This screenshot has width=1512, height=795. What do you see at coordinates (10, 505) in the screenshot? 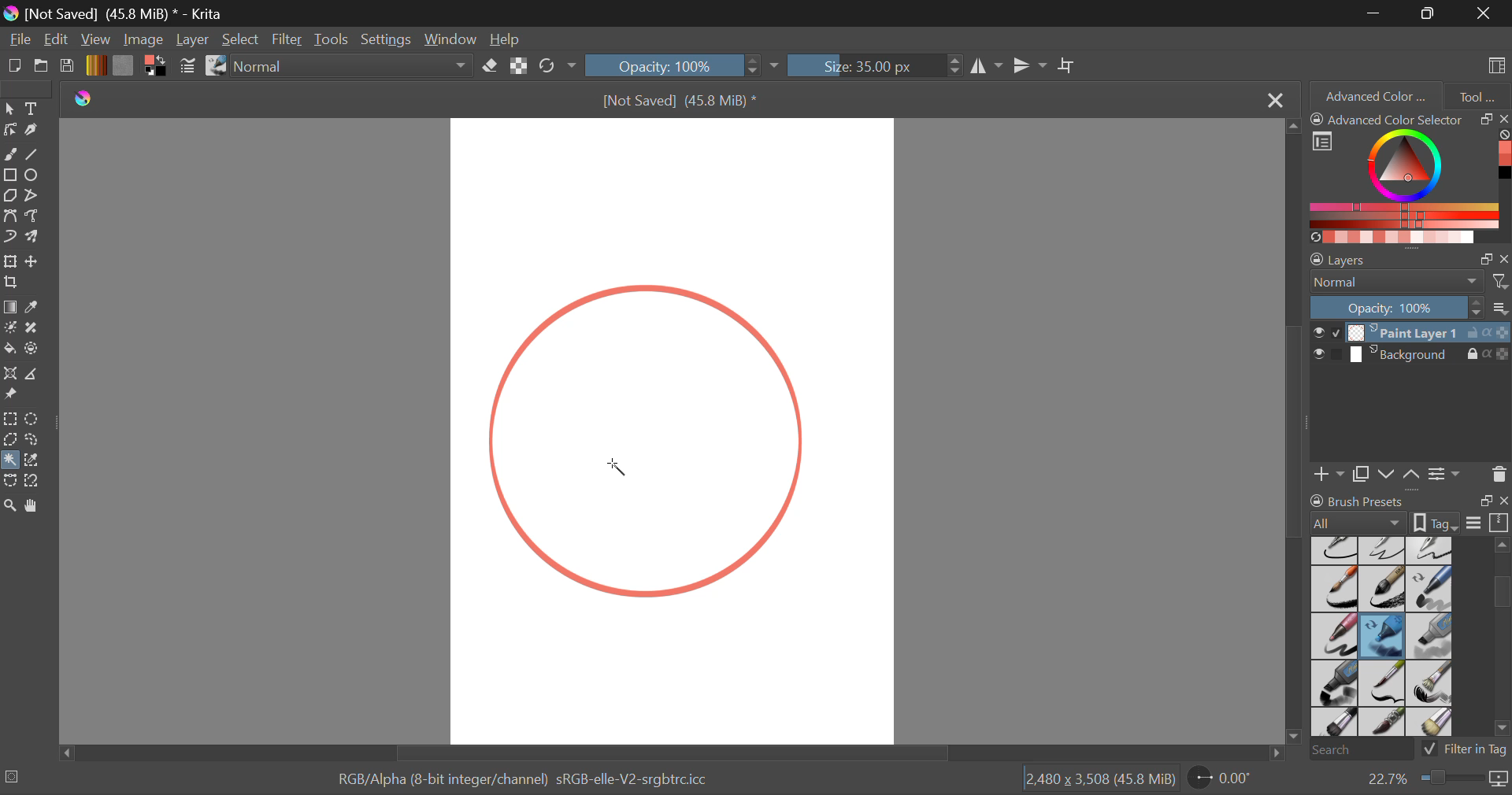
I see `Zoom Tool` at bounding box center [10, 505].